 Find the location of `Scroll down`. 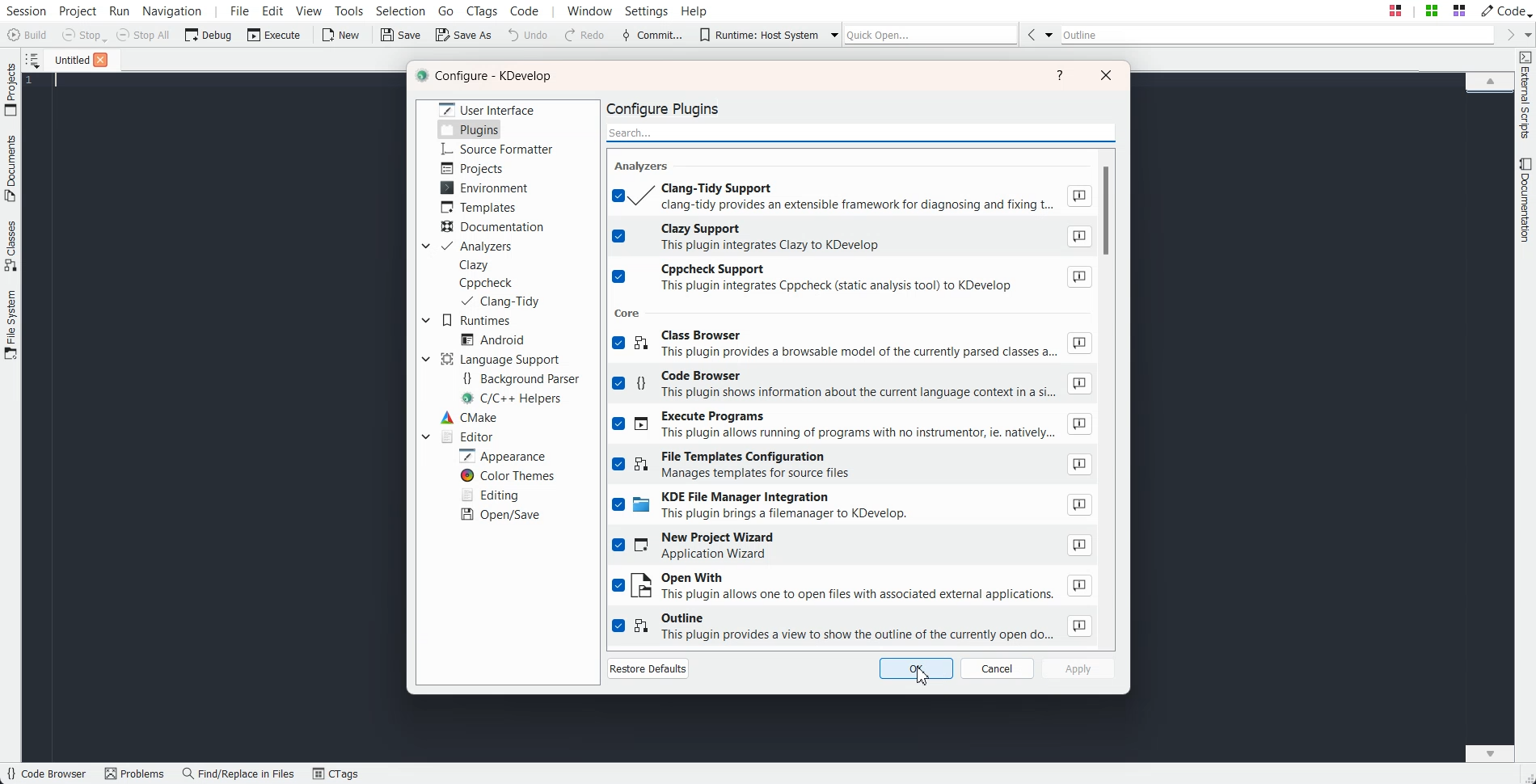

Scroll down is located at coordinates (1490, 752).